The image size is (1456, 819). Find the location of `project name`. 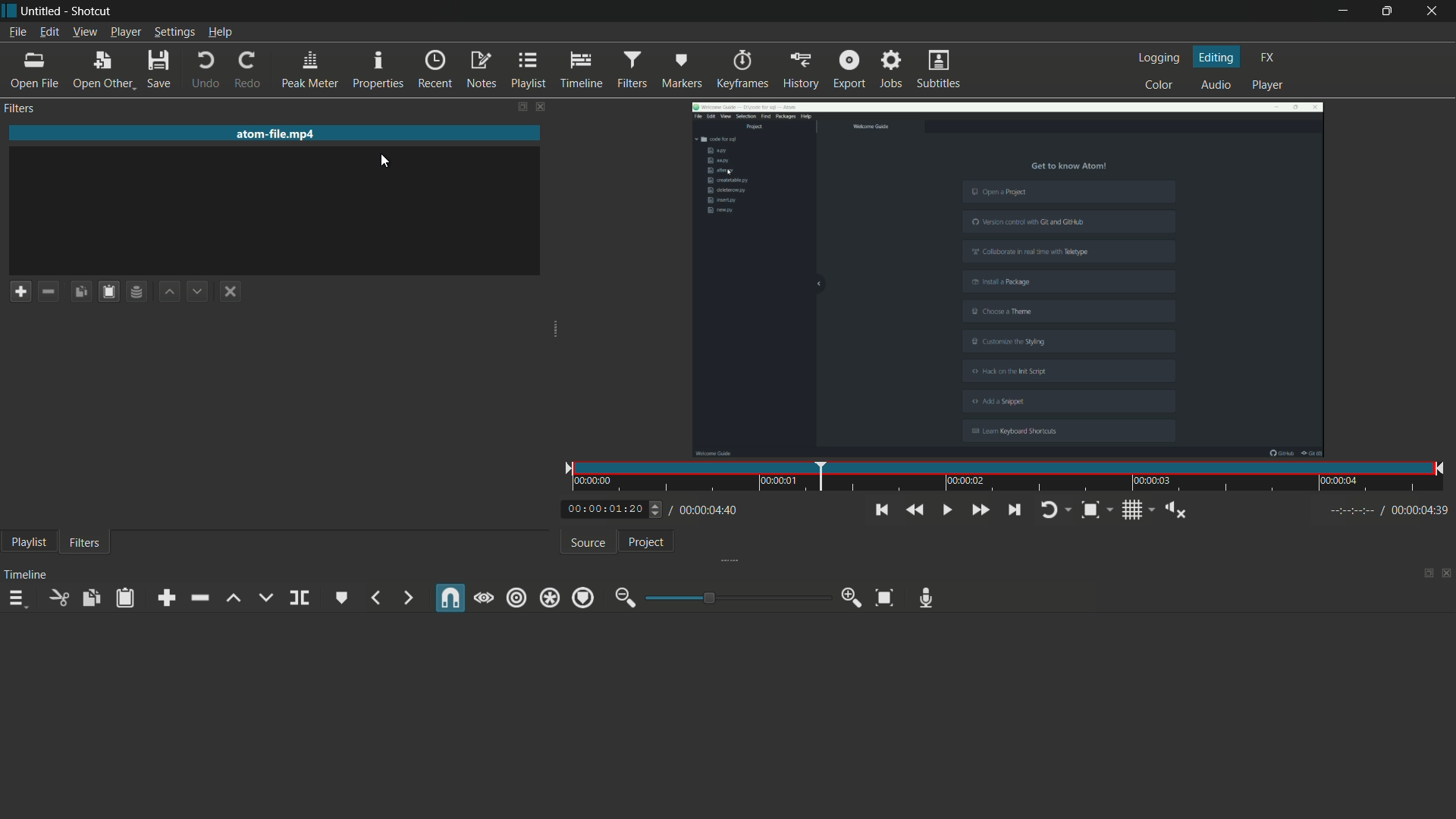

project name is located at coordinates (43, 11).